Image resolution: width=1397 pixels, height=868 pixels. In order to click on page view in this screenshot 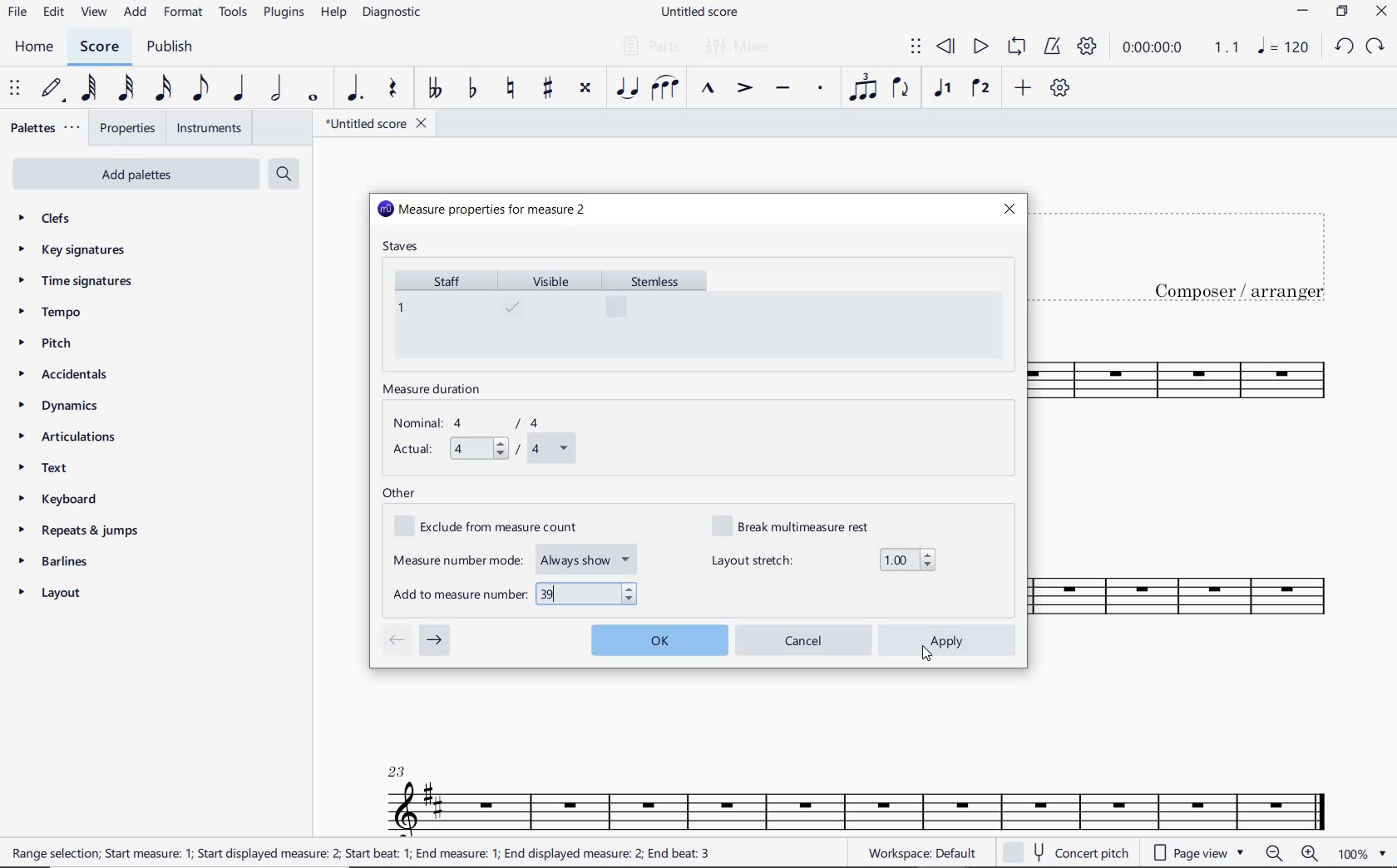, I will do `click(1196, 852)`.